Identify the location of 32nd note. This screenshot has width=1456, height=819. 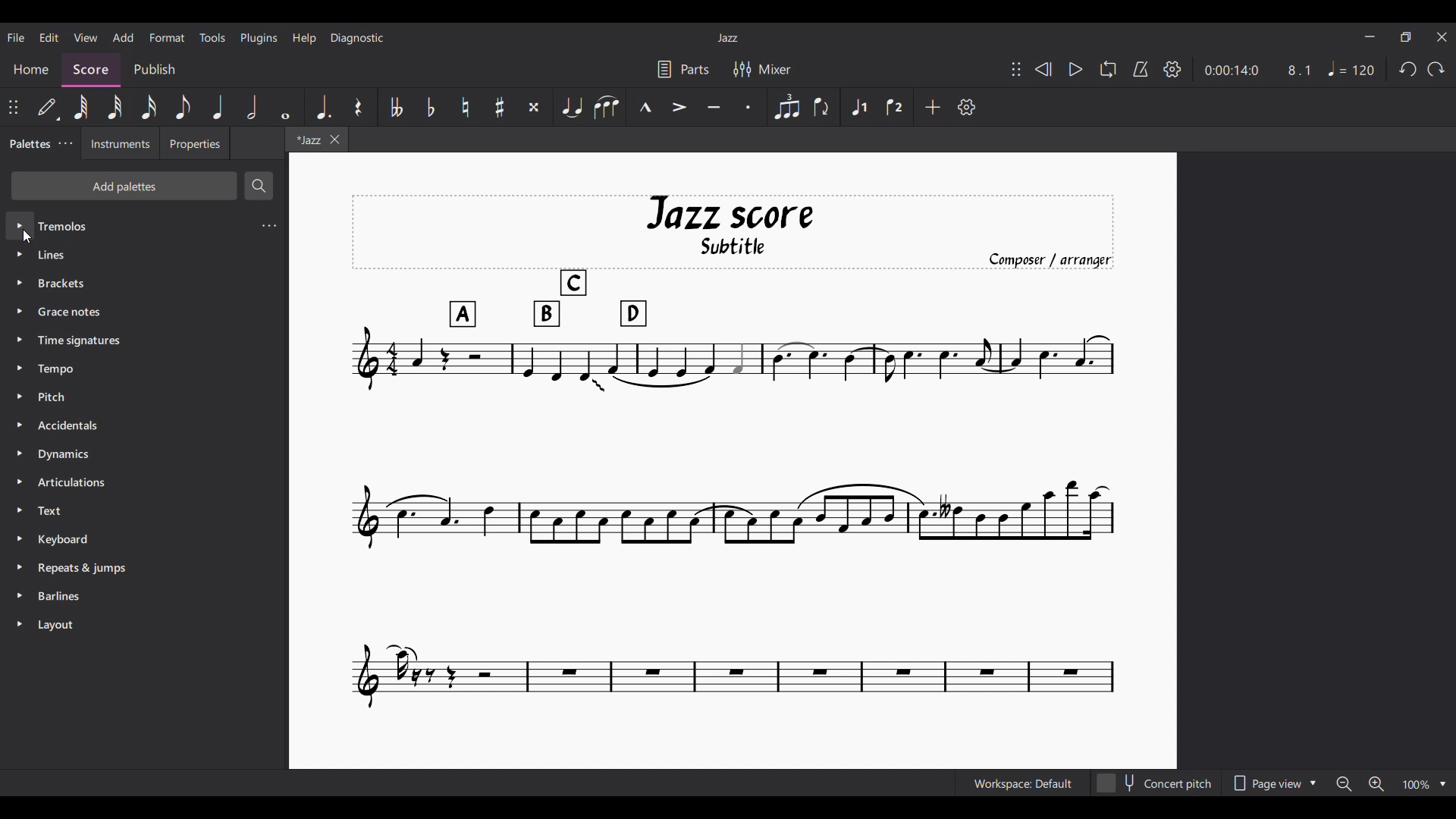
(115, 108).